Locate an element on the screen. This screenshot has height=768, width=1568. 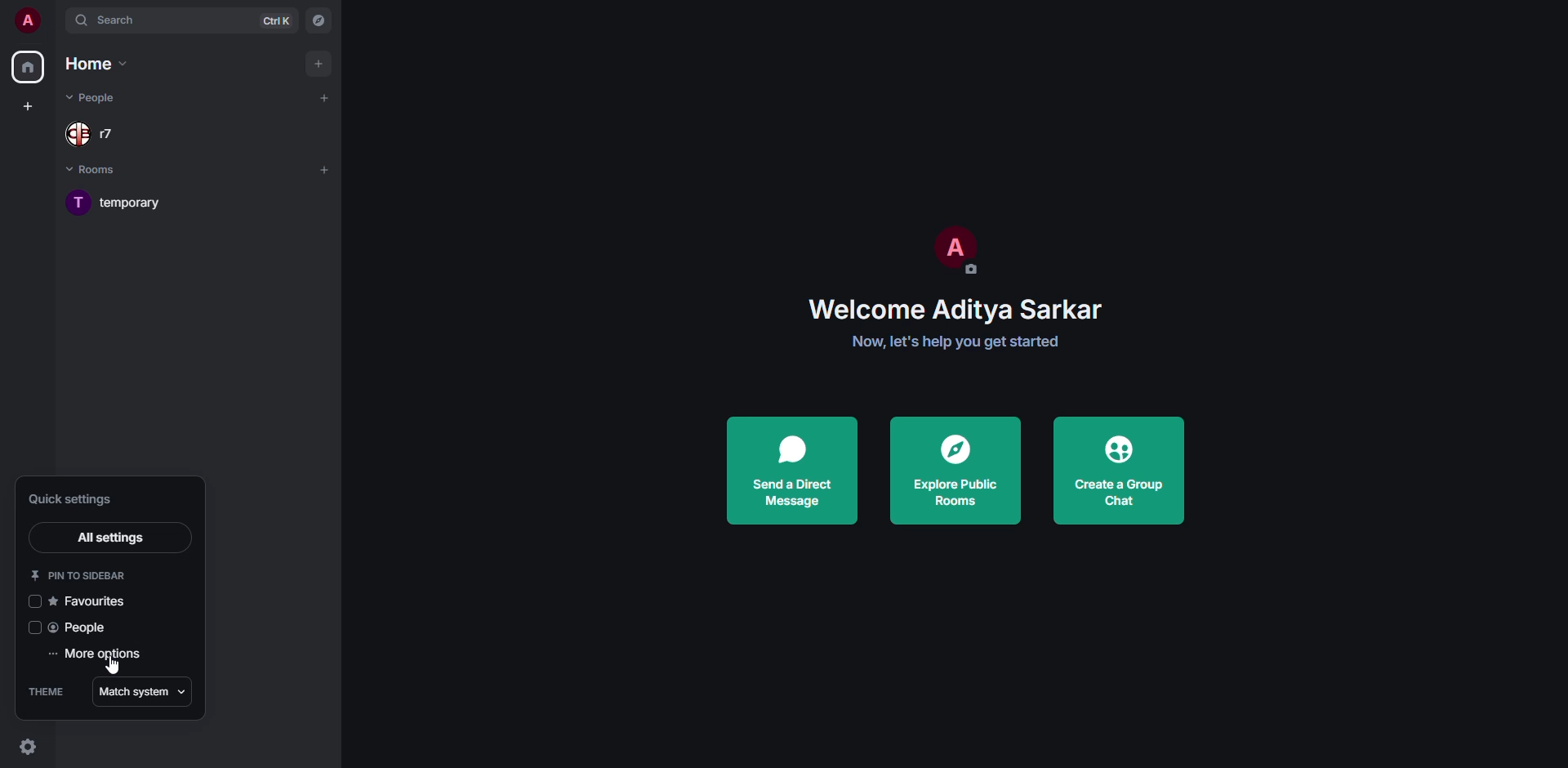
match system is located at coordinates (142, 692).